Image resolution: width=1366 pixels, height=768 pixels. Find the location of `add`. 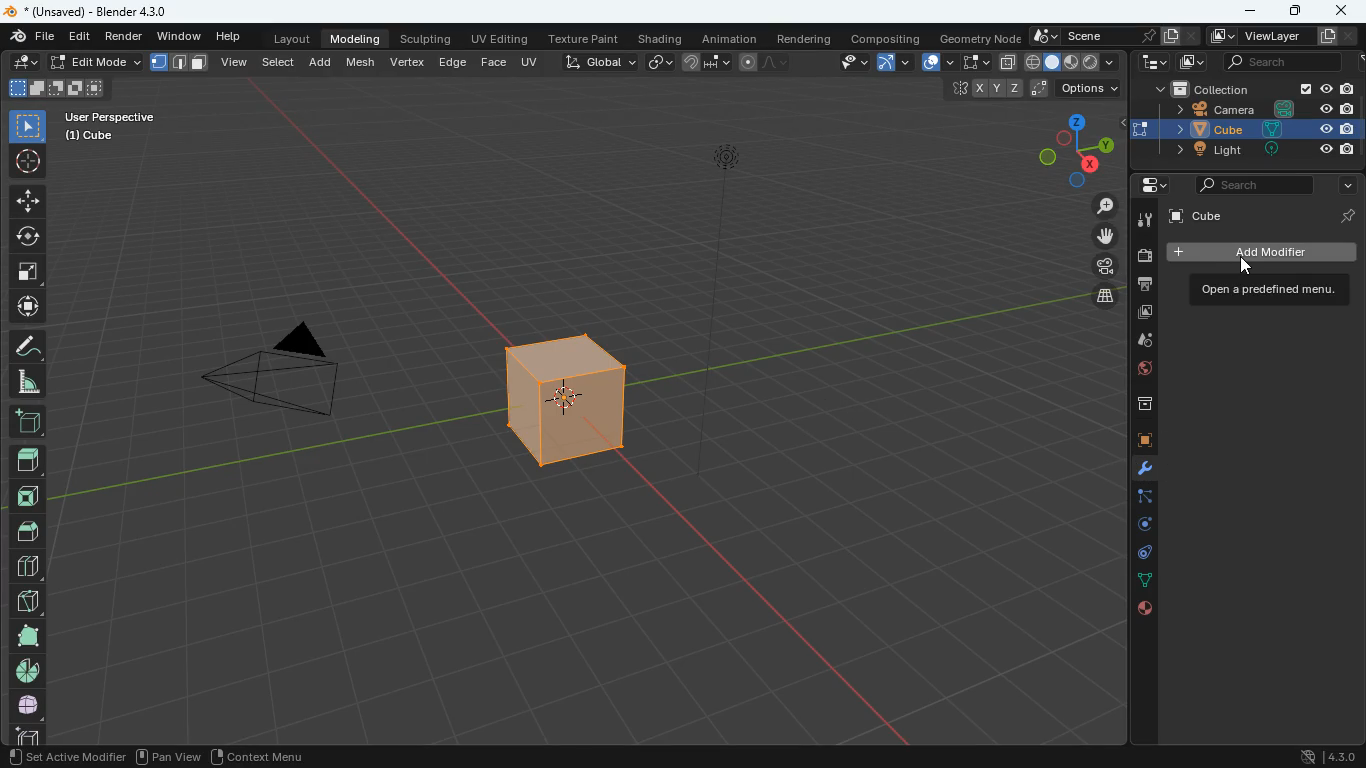

add is located at coordinates (324, 61).